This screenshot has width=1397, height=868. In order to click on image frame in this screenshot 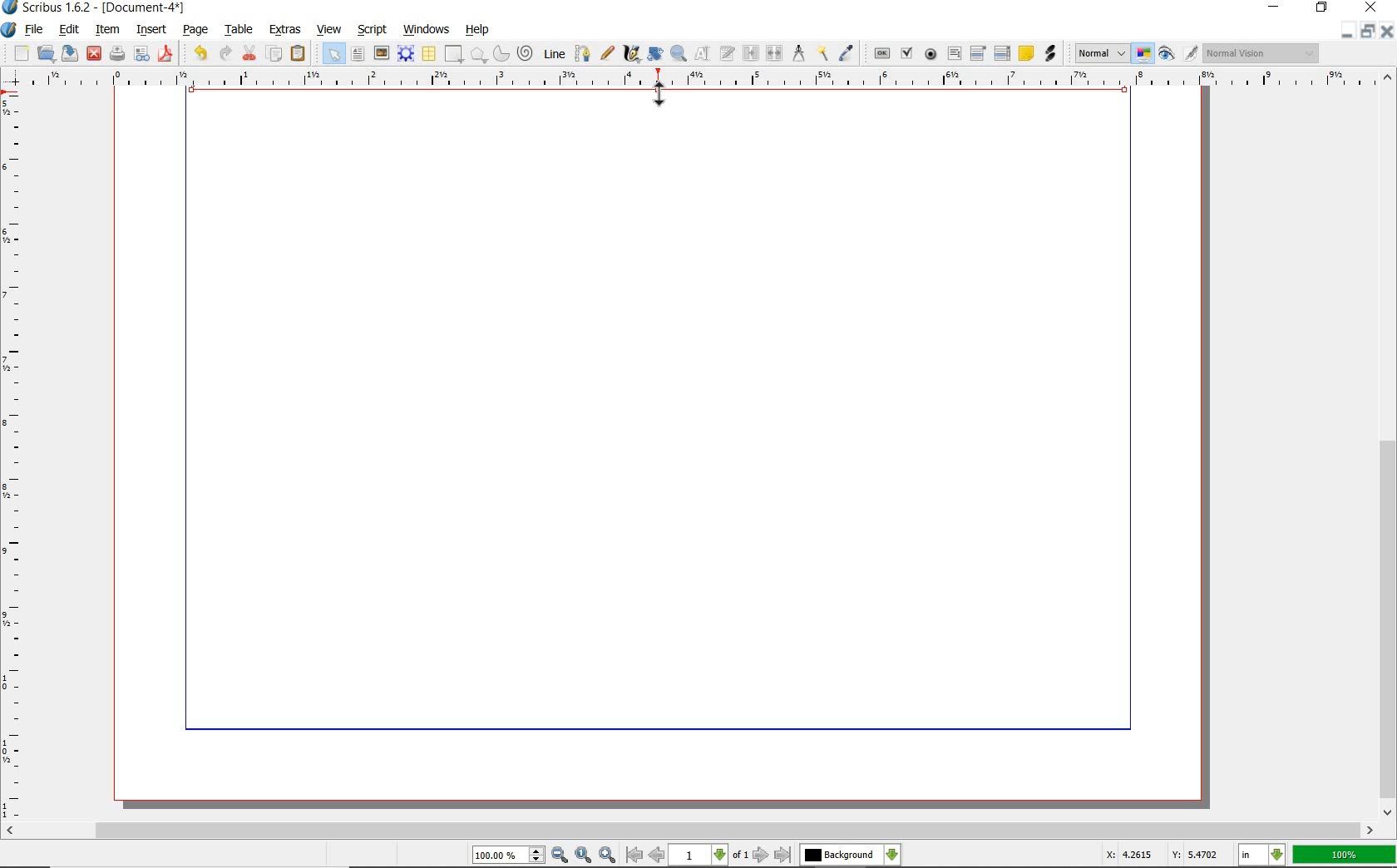, I will do `click(382, 55)`.